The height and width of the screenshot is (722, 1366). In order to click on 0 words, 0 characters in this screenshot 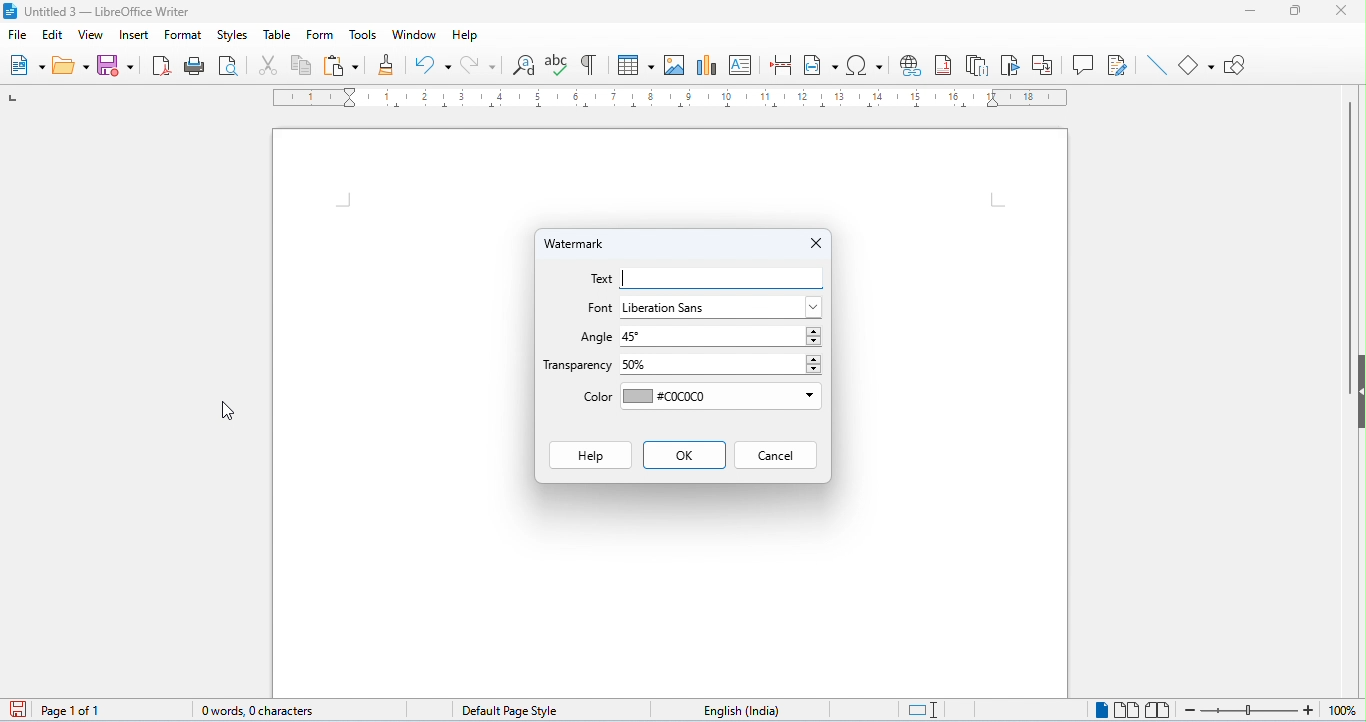, I will do `click(249, 708)`.